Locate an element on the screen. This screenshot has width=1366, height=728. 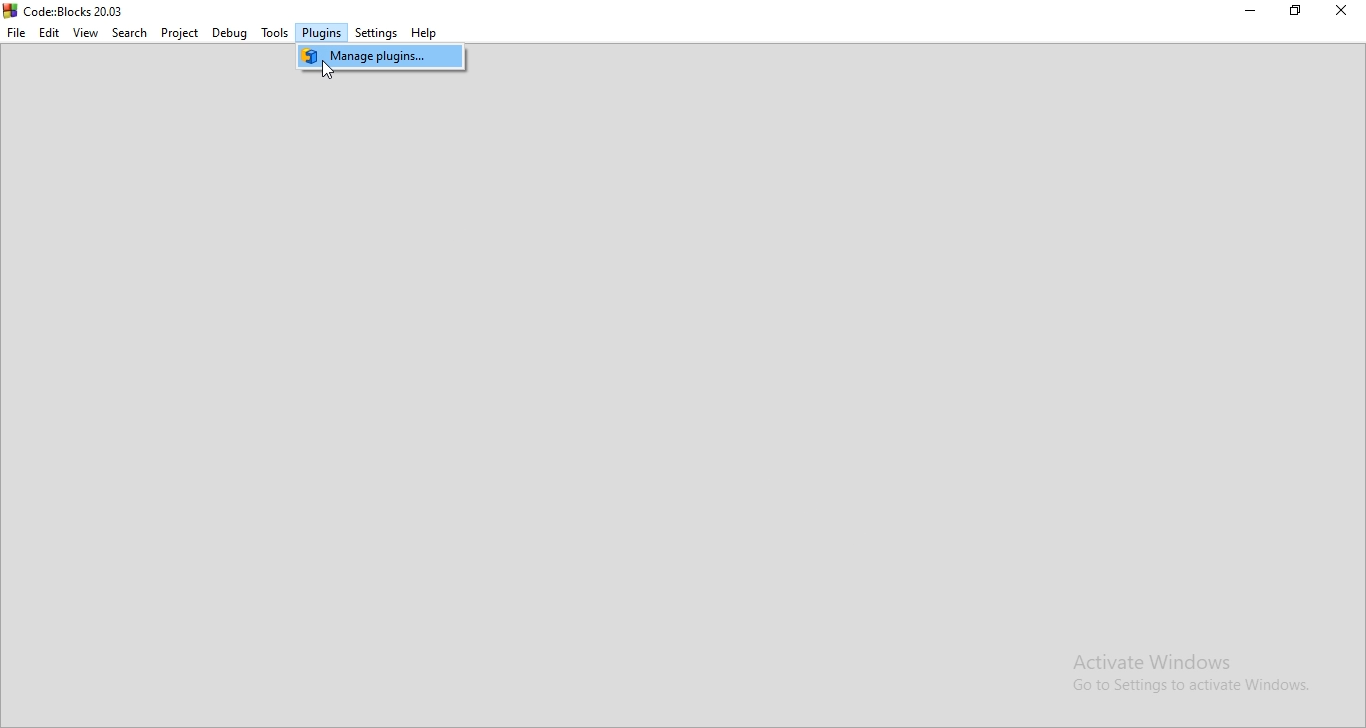
cursor on manage plugins is located at coordinates (328, 71).